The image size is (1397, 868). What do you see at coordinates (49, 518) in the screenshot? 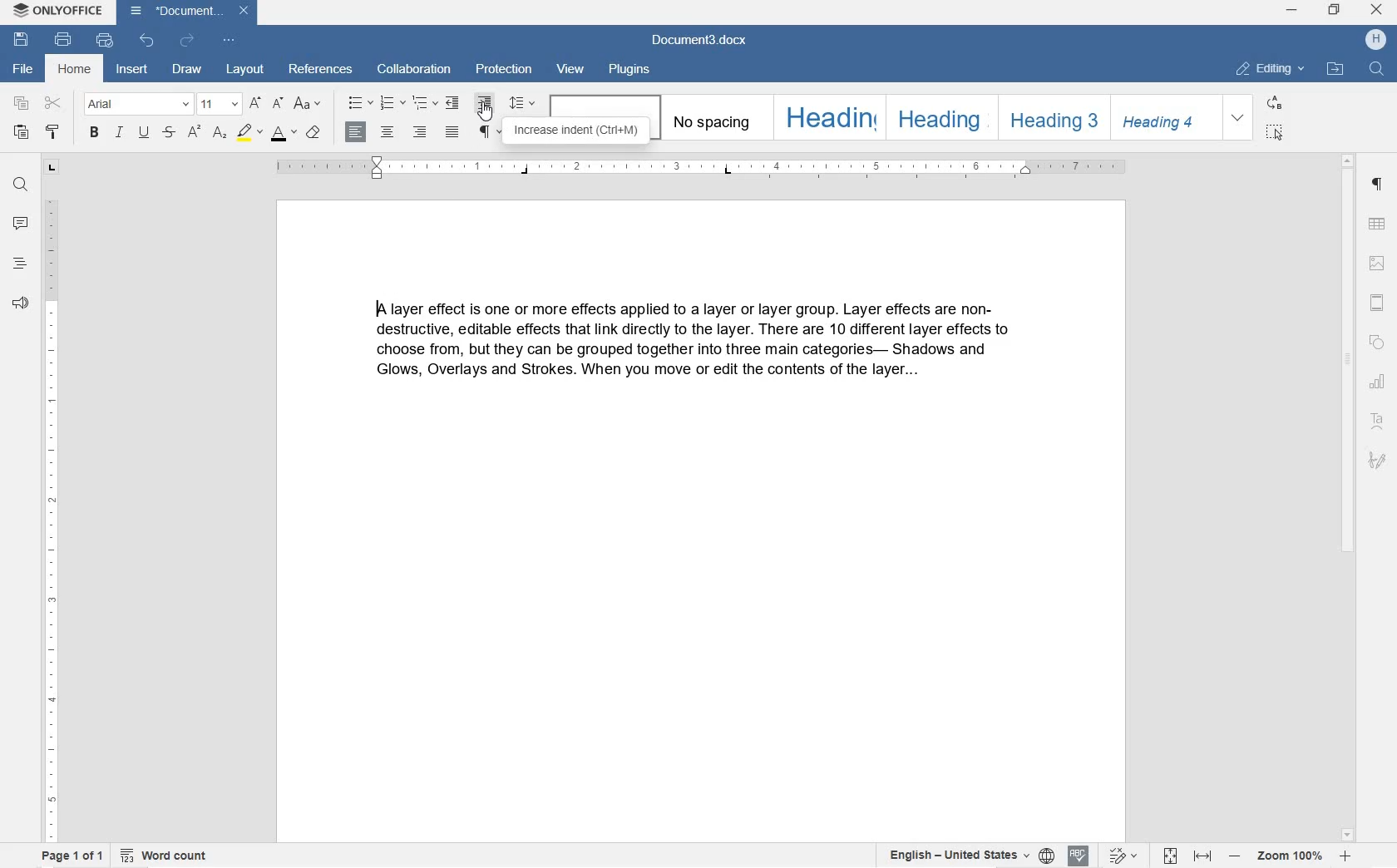
I see `RULER` at bounding box center [49, 518].